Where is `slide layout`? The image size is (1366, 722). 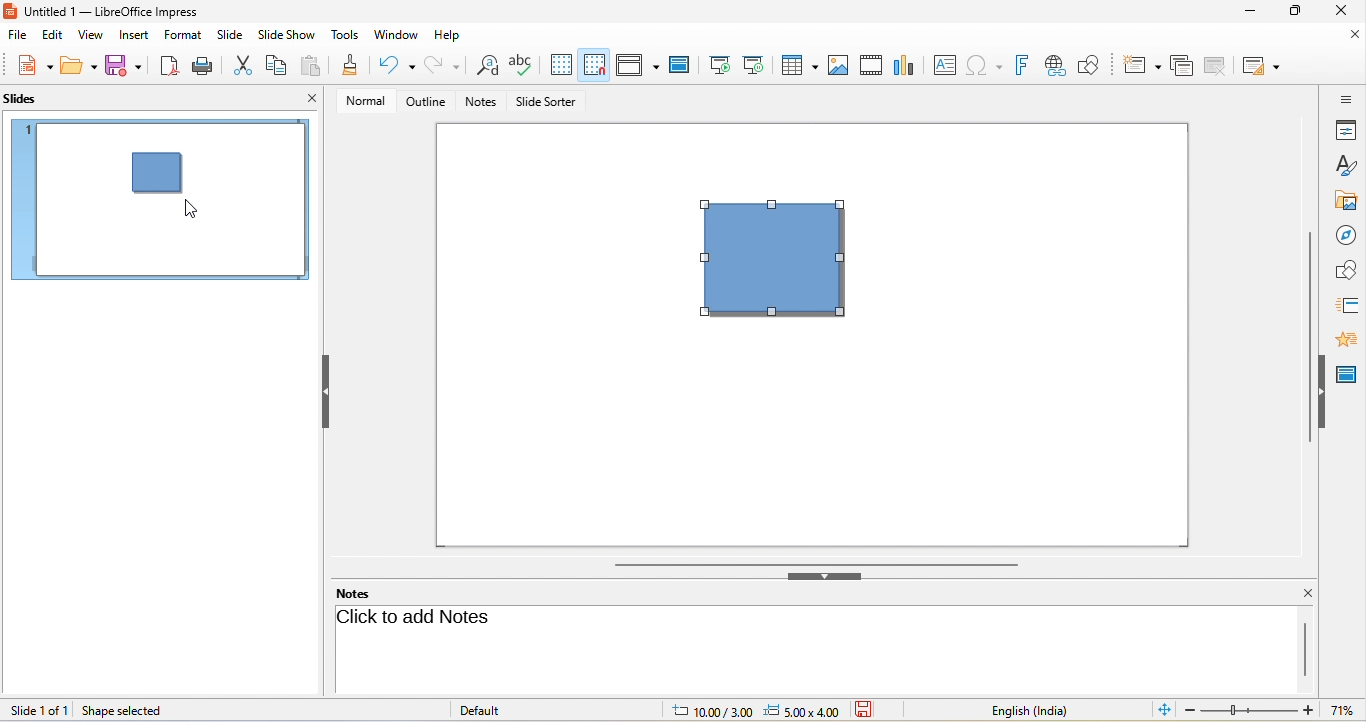
slide layout is located at coordinates (1263, 67).